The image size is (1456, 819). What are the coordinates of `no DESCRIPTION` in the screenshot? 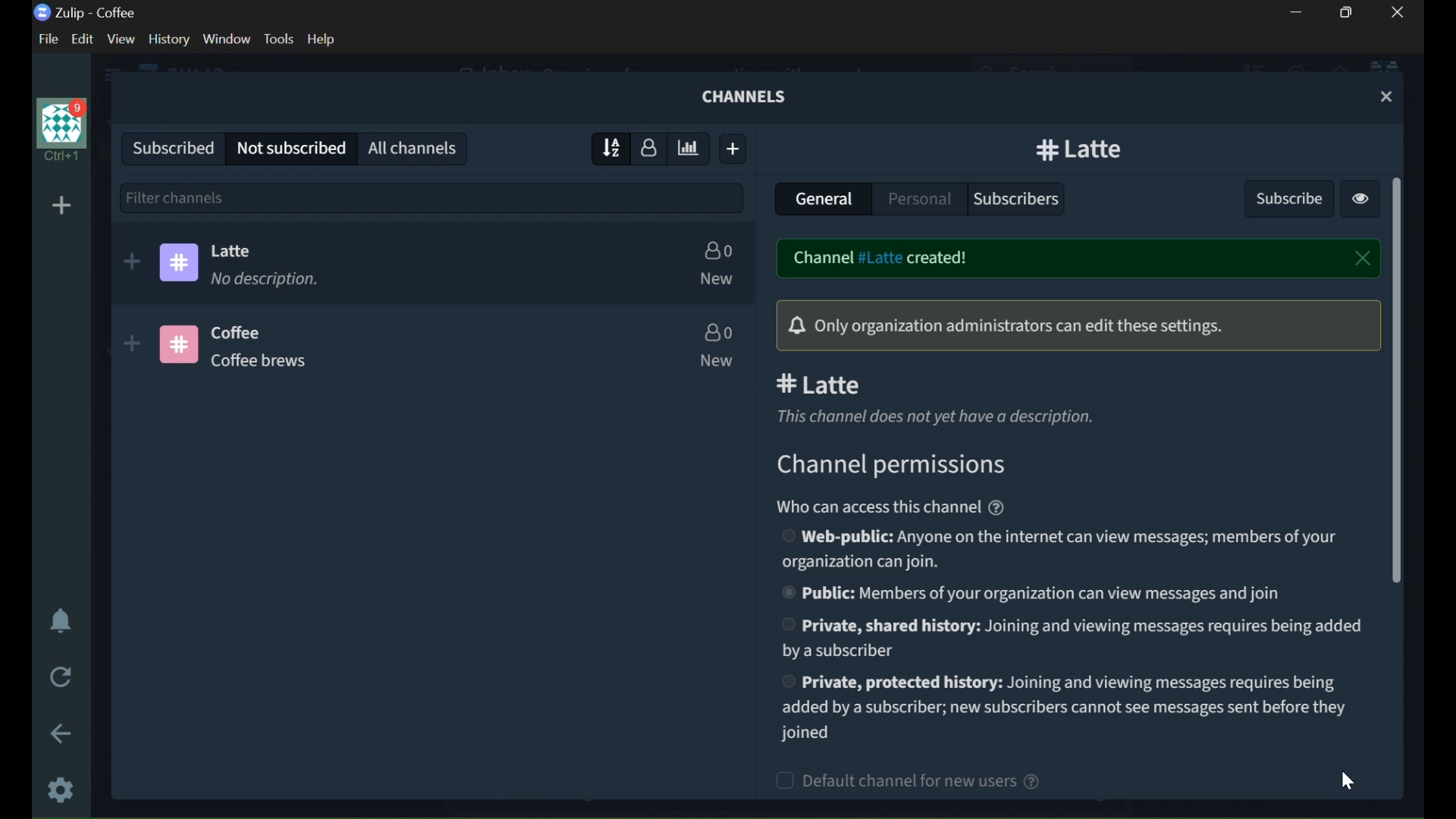 It's located at (268, 281).